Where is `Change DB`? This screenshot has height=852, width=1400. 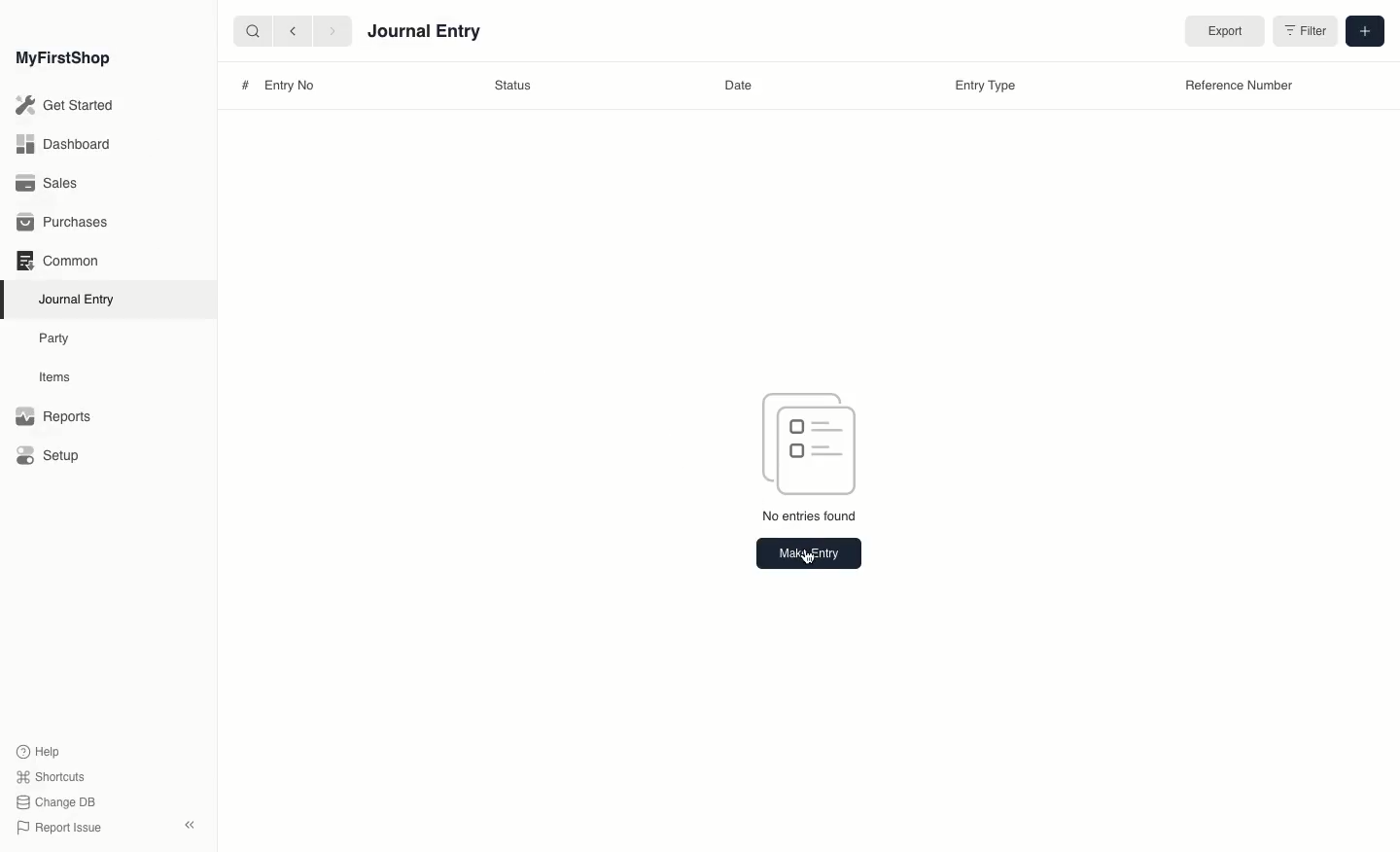 Change DB is located at coordinates (56, 803).